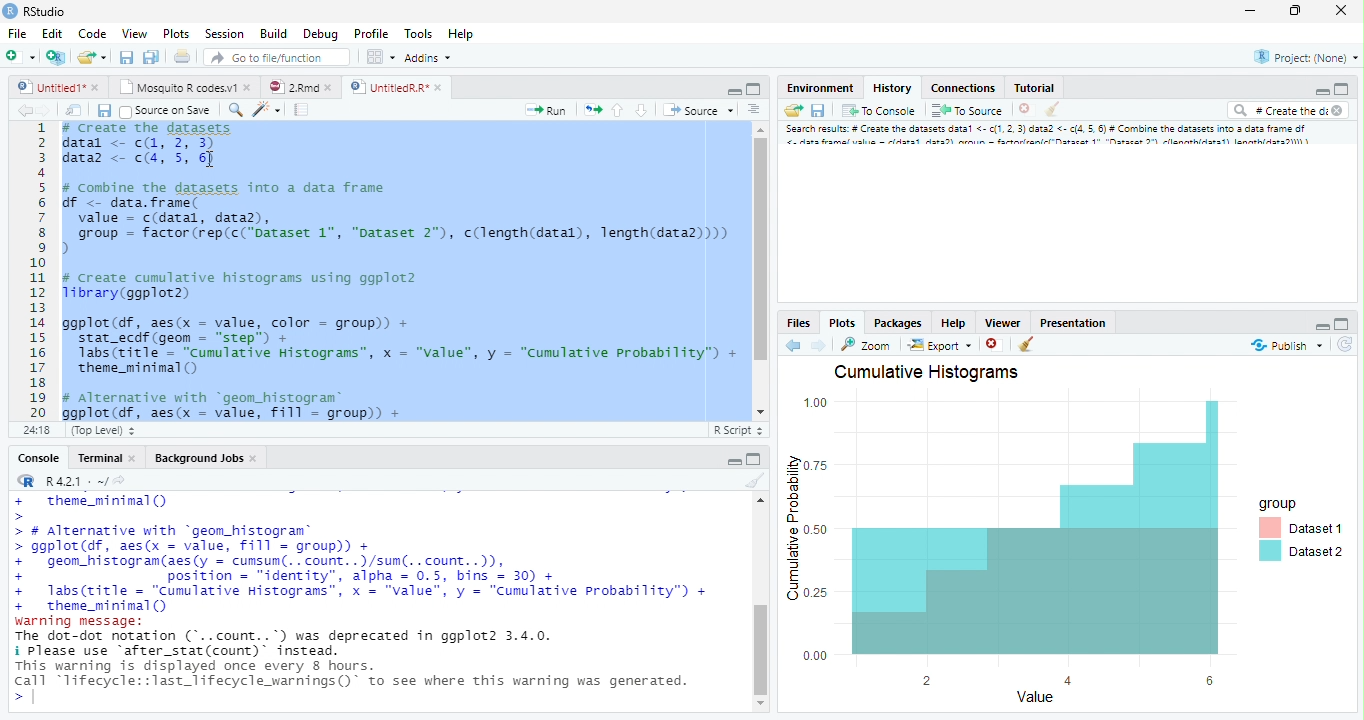 Image resolution: width=1364 pixels, height=720 pixels. What do you see at coordinates (755, 113) in the screenshot?
I see `Alignment` at bounding box center [755, 113].